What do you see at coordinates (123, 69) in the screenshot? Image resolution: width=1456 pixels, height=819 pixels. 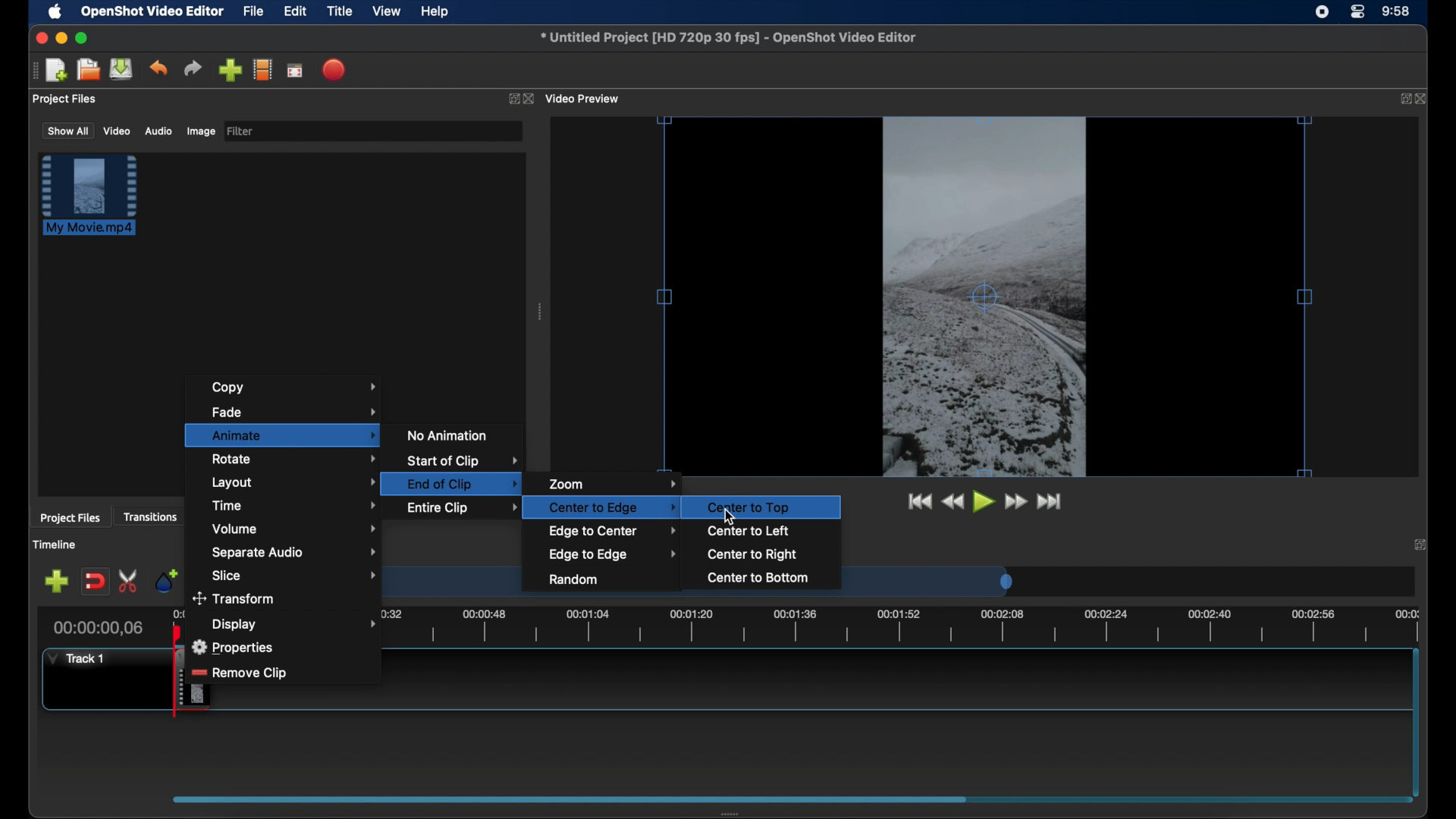 I see `save files` at bounding box center [123, 69].